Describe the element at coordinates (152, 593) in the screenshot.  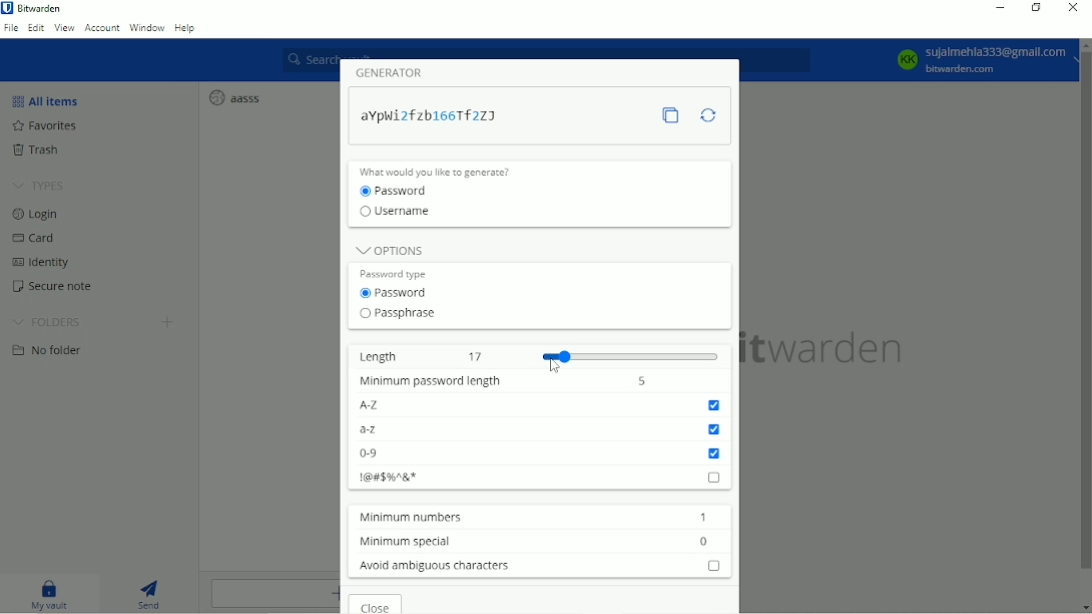
I see `Send` at that location.